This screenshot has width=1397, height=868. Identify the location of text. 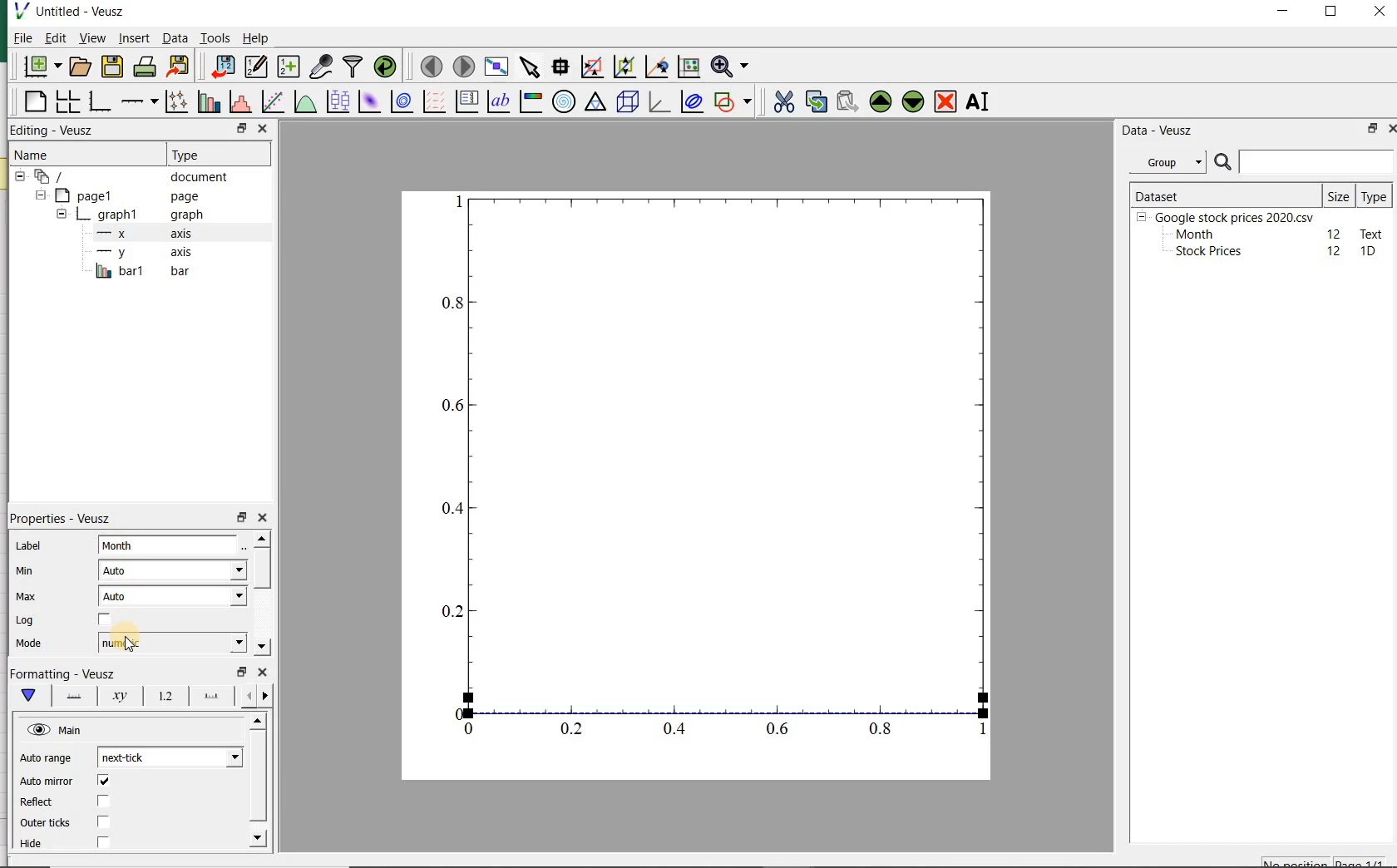
(1369, 233).